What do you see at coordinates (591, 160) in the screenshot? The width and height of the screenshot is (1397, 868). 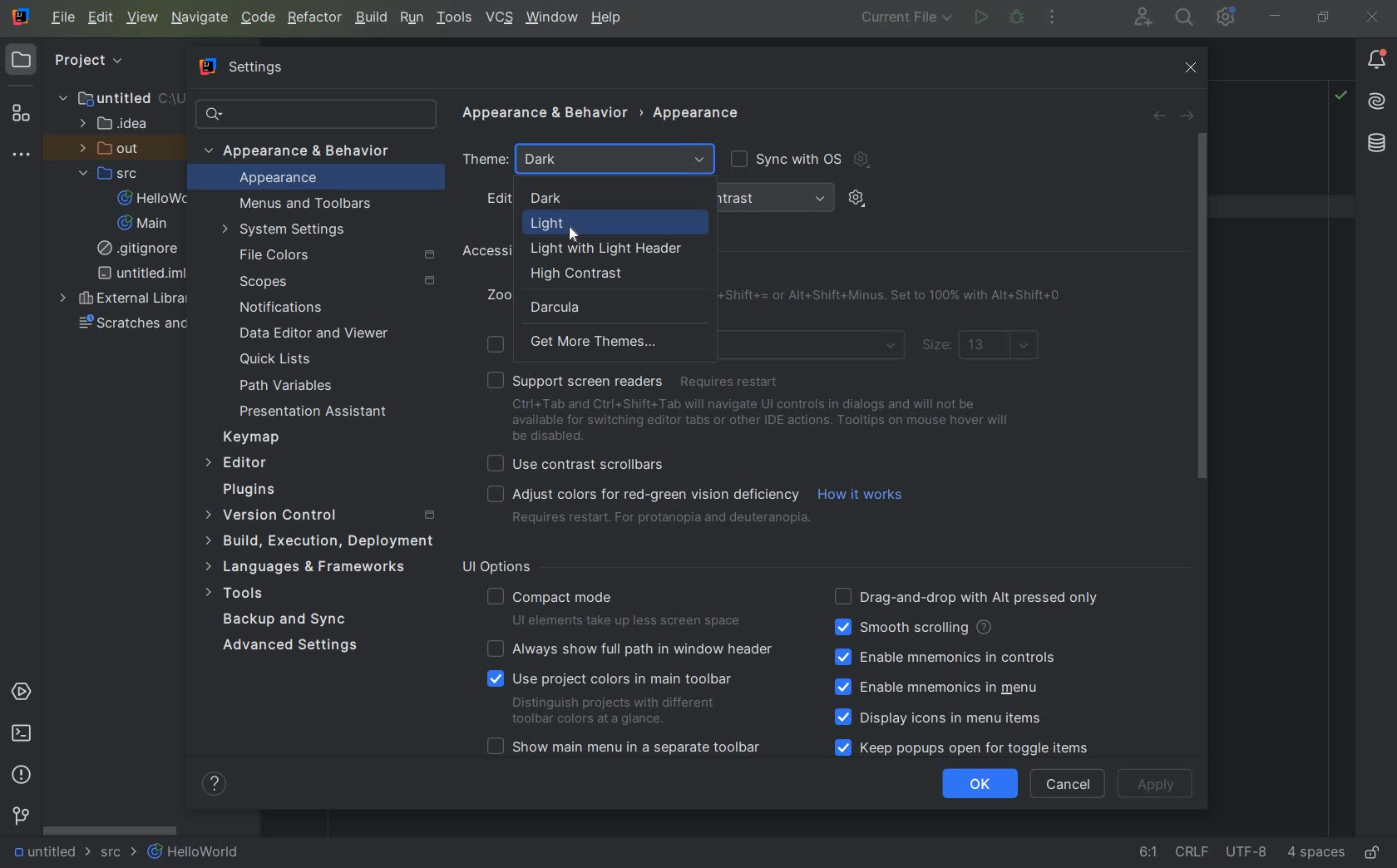 I see `Theme:dark` at bounding box center [591, 160].